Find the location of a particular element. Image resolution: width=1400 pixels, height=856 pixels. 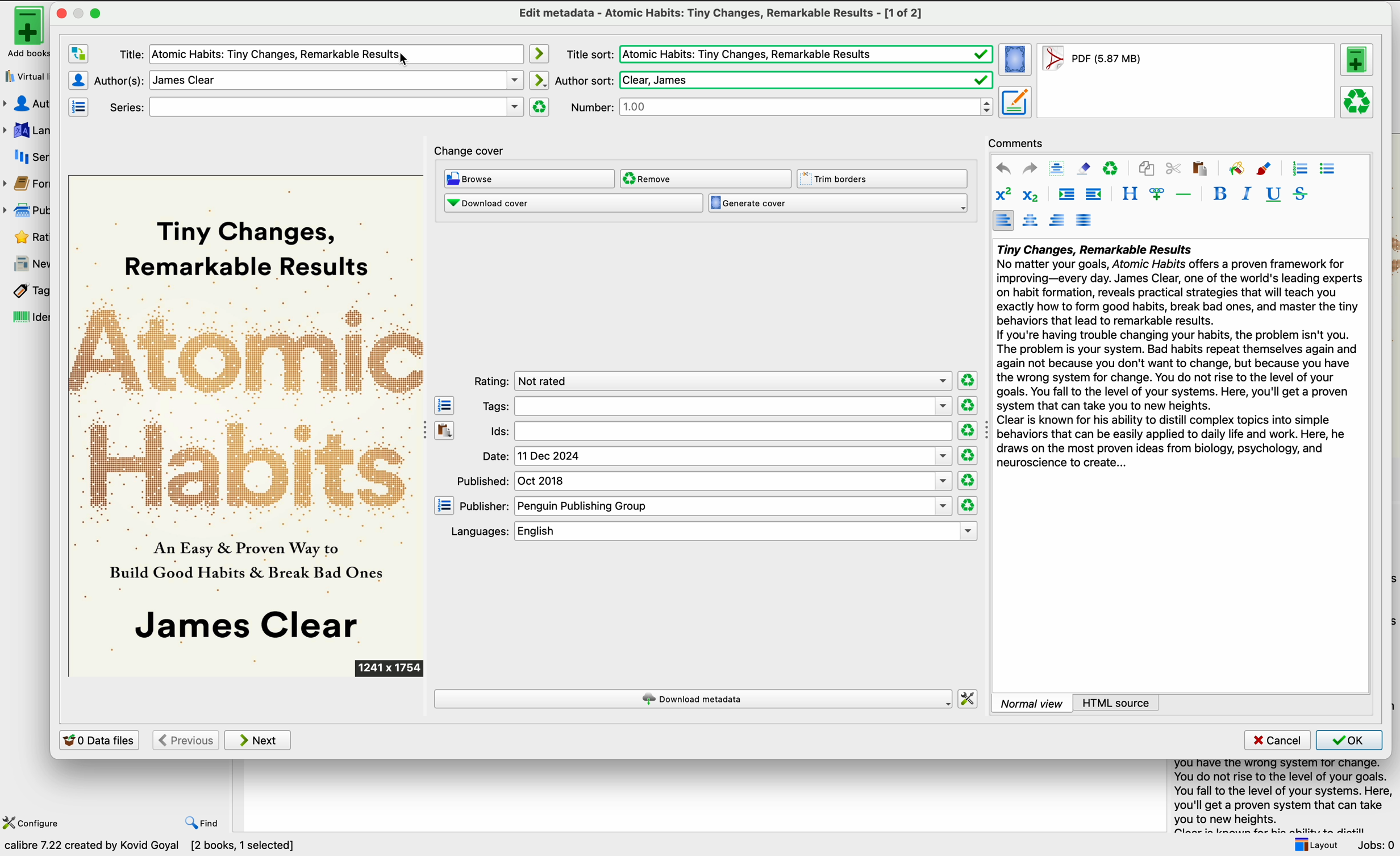

jobs: 0 is located at coordinates (1377, 845).